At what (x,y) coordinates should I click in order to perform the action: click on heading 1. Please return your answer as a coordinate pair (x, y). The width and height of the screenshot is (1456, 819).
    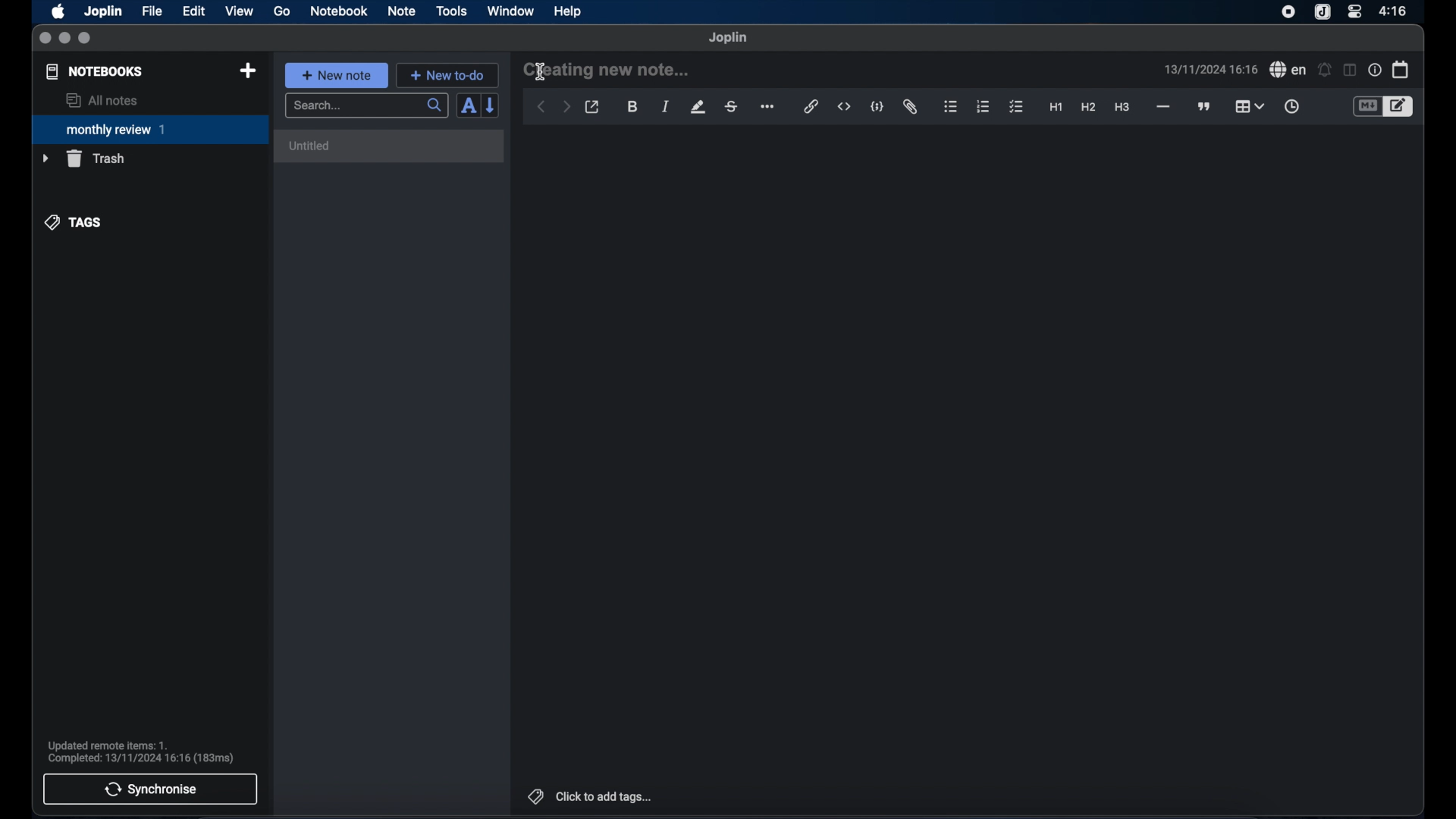
    Looking at the image, I should click on (1056, 108).